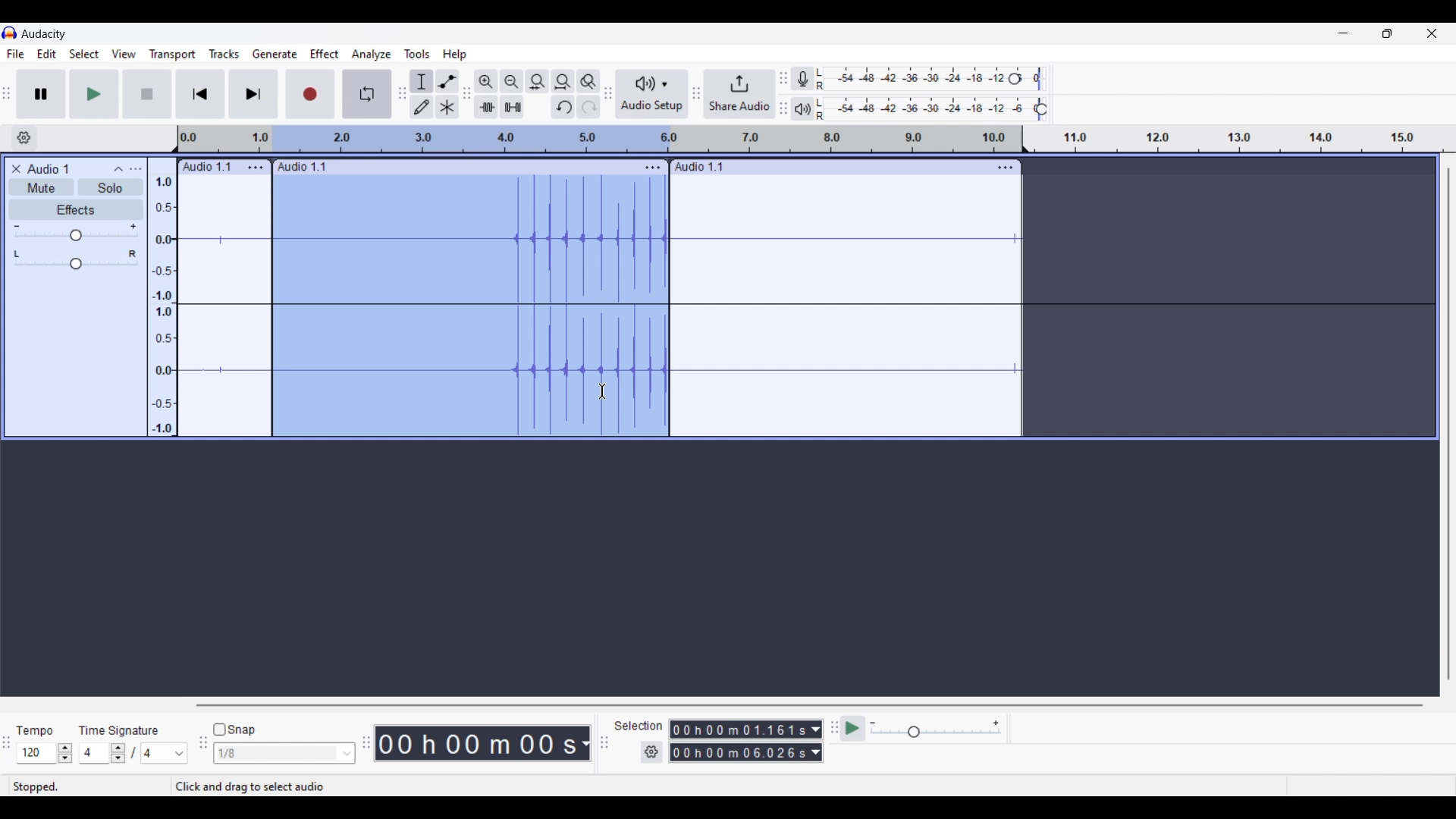 The image size is (1456, 819). Describe the element at coordinates (331, 65) in the screenshot. I see `Cursor clicking on Effects menu` at that location.